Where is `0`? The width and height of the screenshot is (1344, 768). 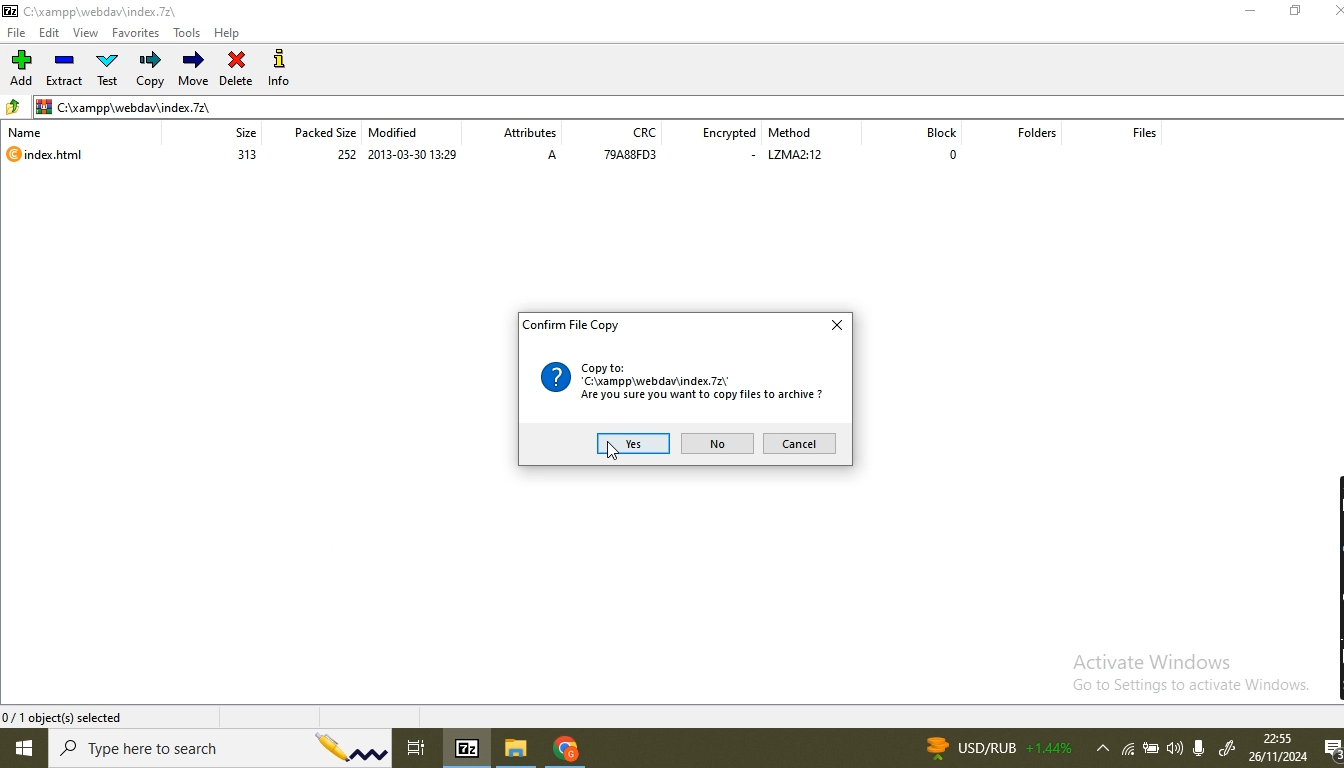 0 is located at coordinates (950, 157).